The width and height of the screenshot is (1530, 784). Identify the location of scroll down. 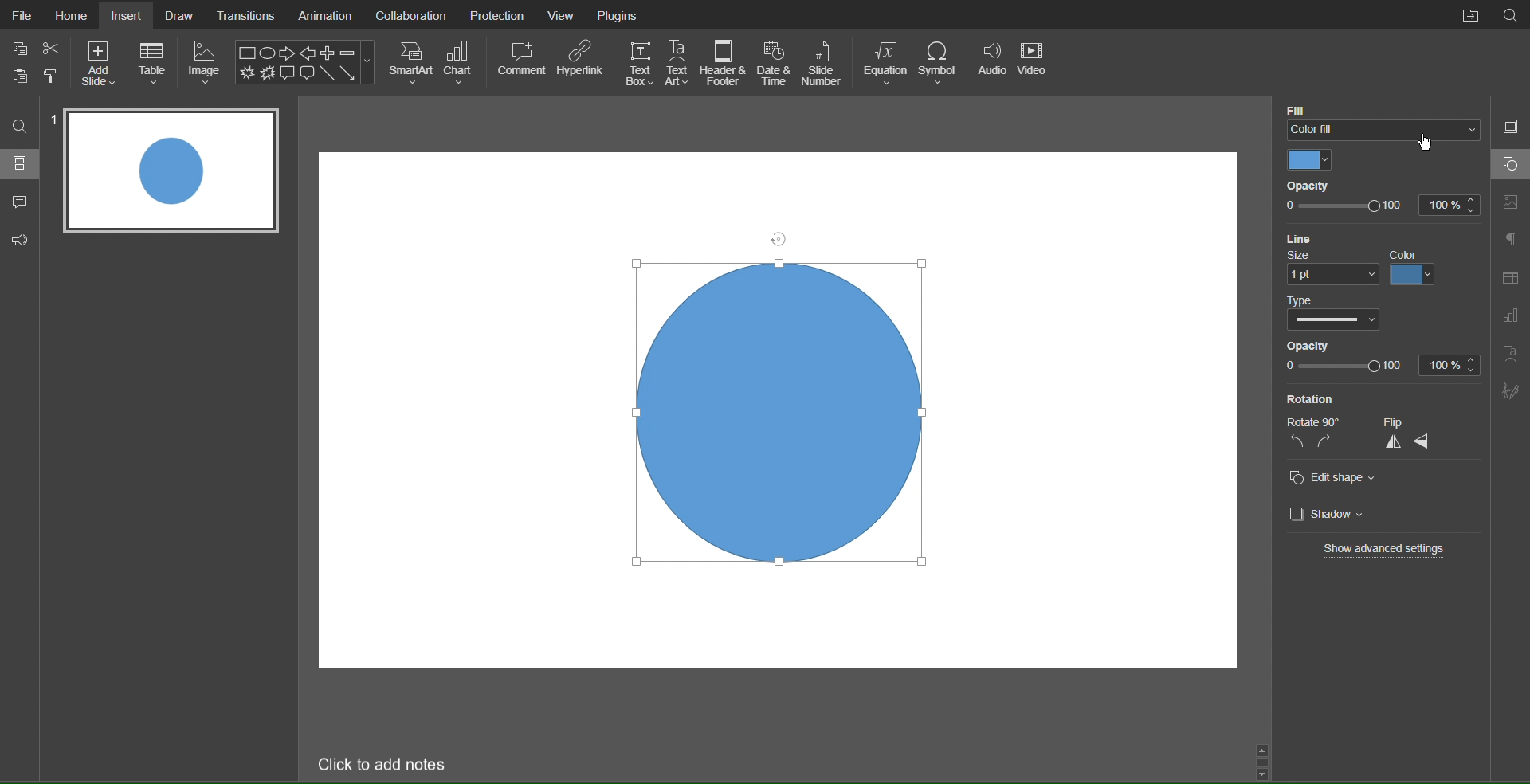
(1265, 772).